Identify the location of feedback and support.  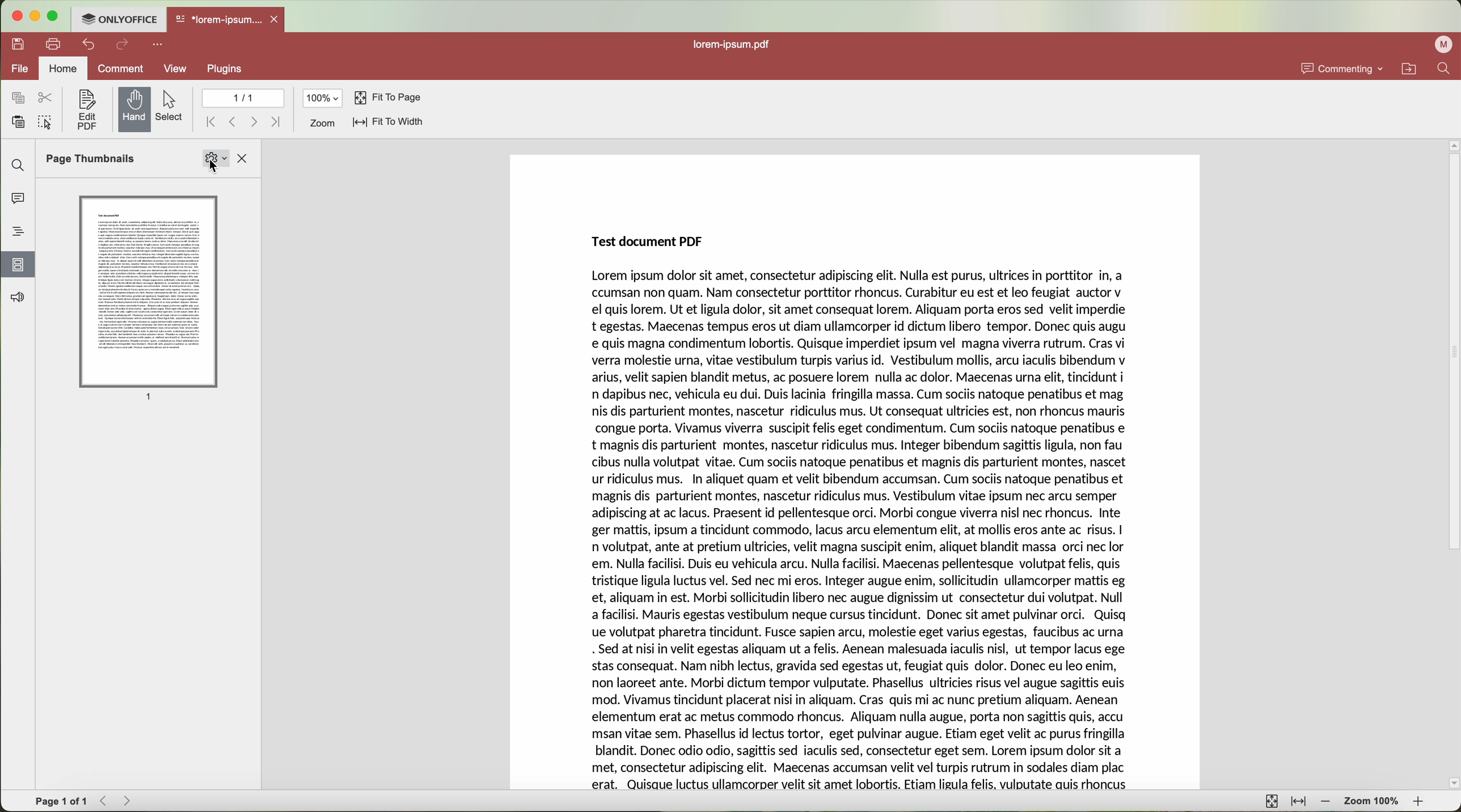
(15, 298).